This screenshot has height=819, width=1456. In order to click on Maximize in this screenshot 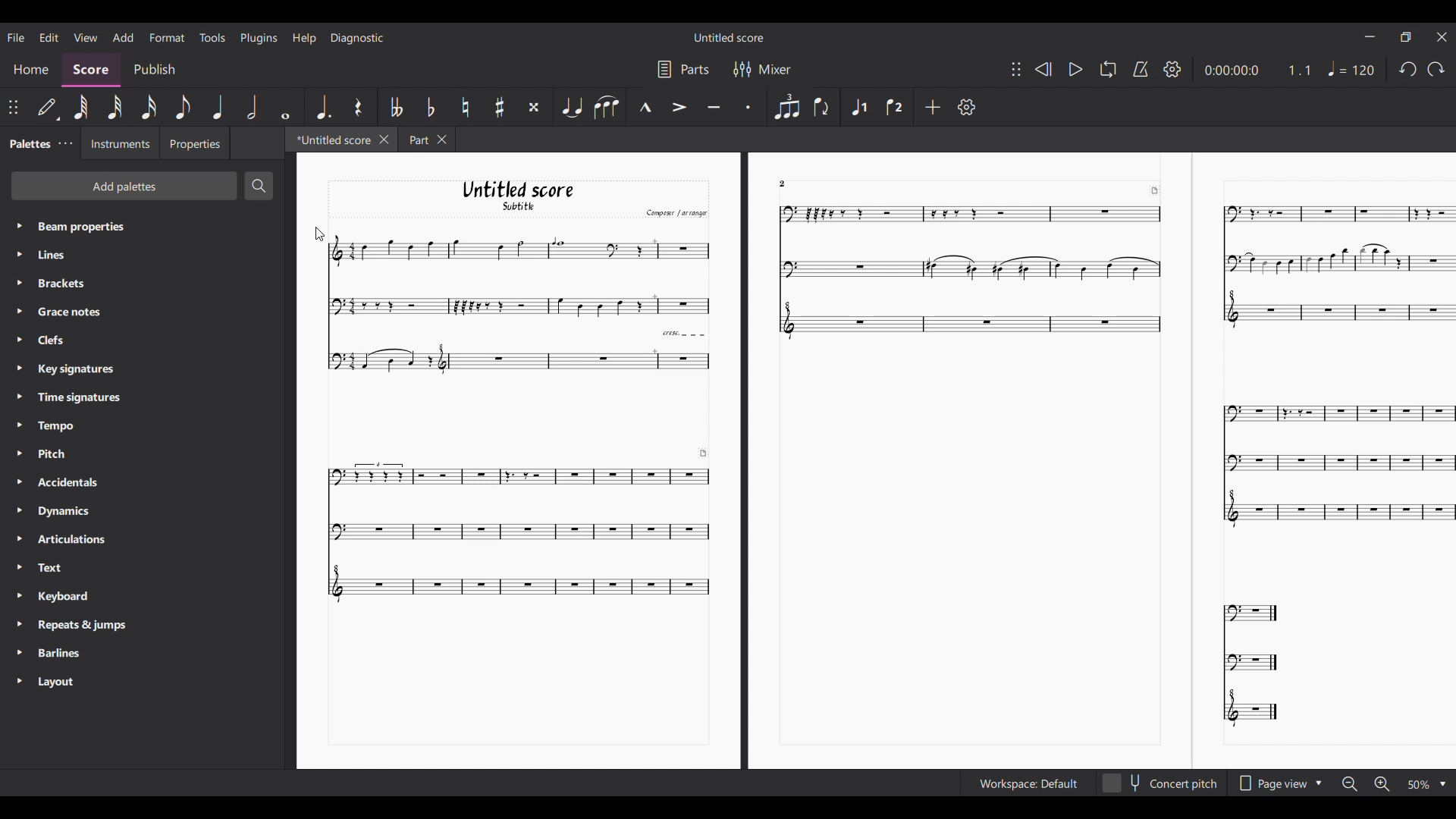, I will do `click(1406, 39)`.